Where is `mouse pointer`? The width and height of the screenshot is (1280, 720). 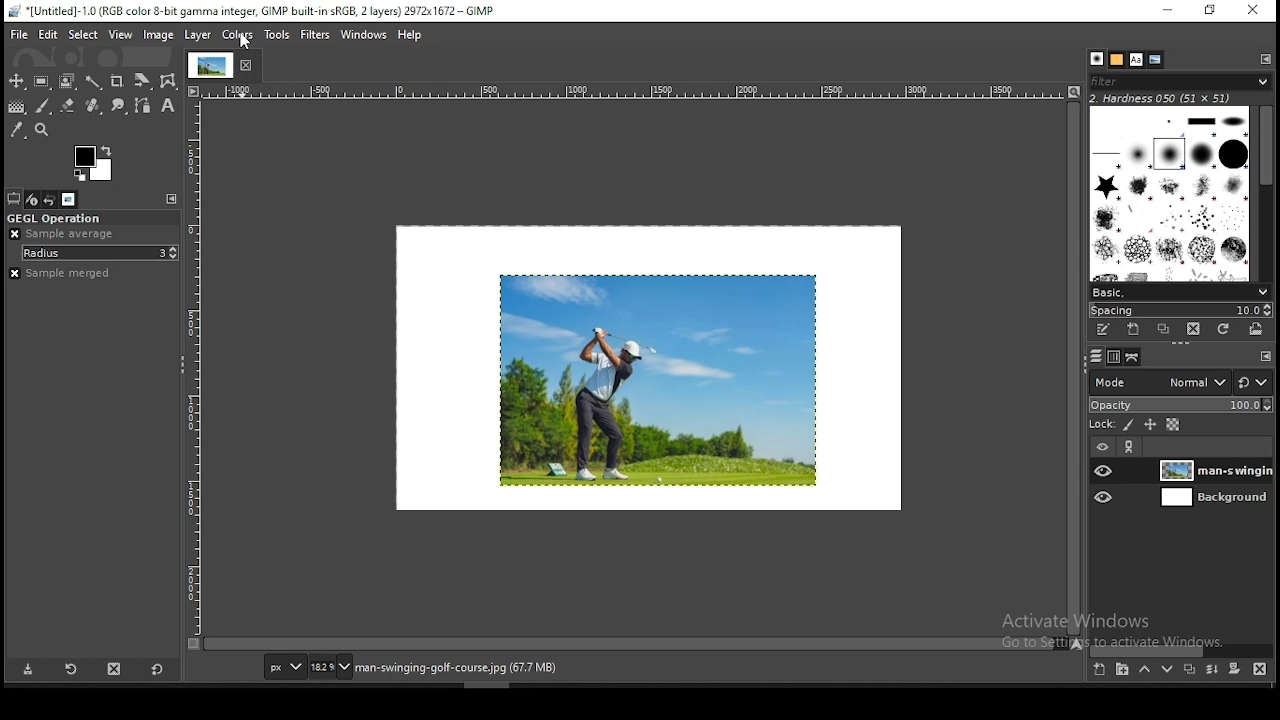
mouse pointer is located at coordinates (251, 43).